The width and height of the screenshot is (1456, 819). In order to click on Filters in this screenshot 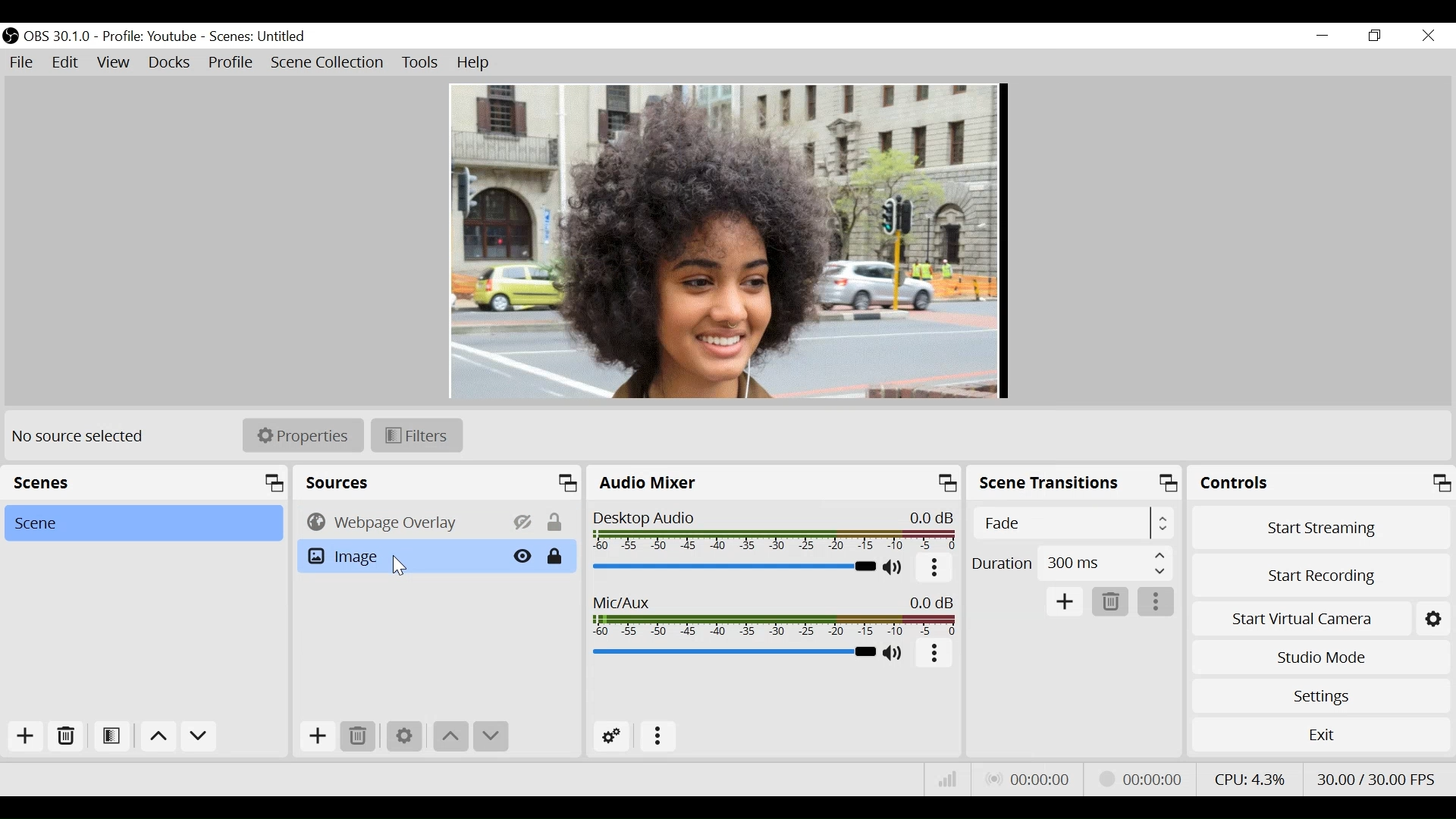, I will do `click(417, 436)`.